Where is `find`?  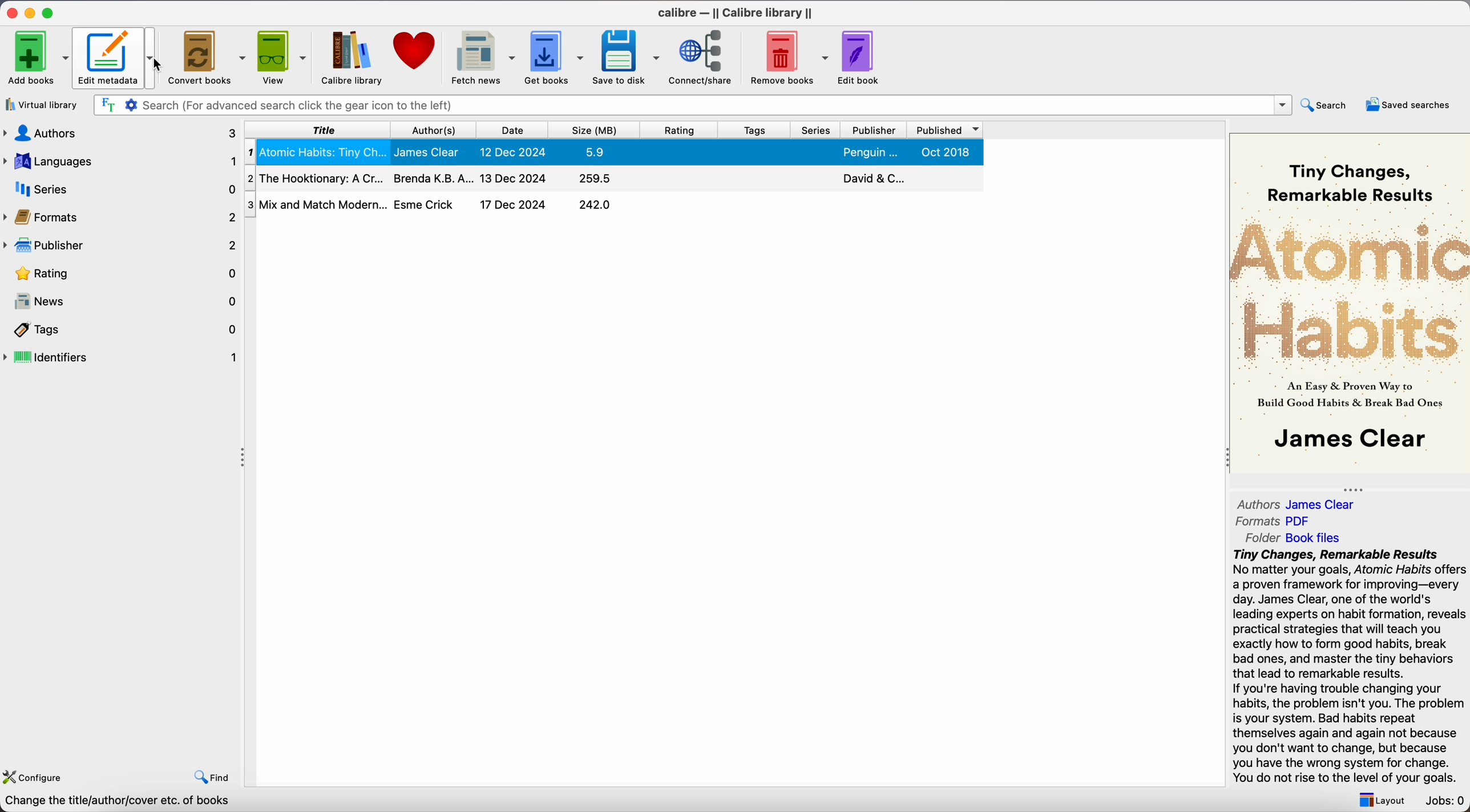
find is located at coordinates (213, 779).